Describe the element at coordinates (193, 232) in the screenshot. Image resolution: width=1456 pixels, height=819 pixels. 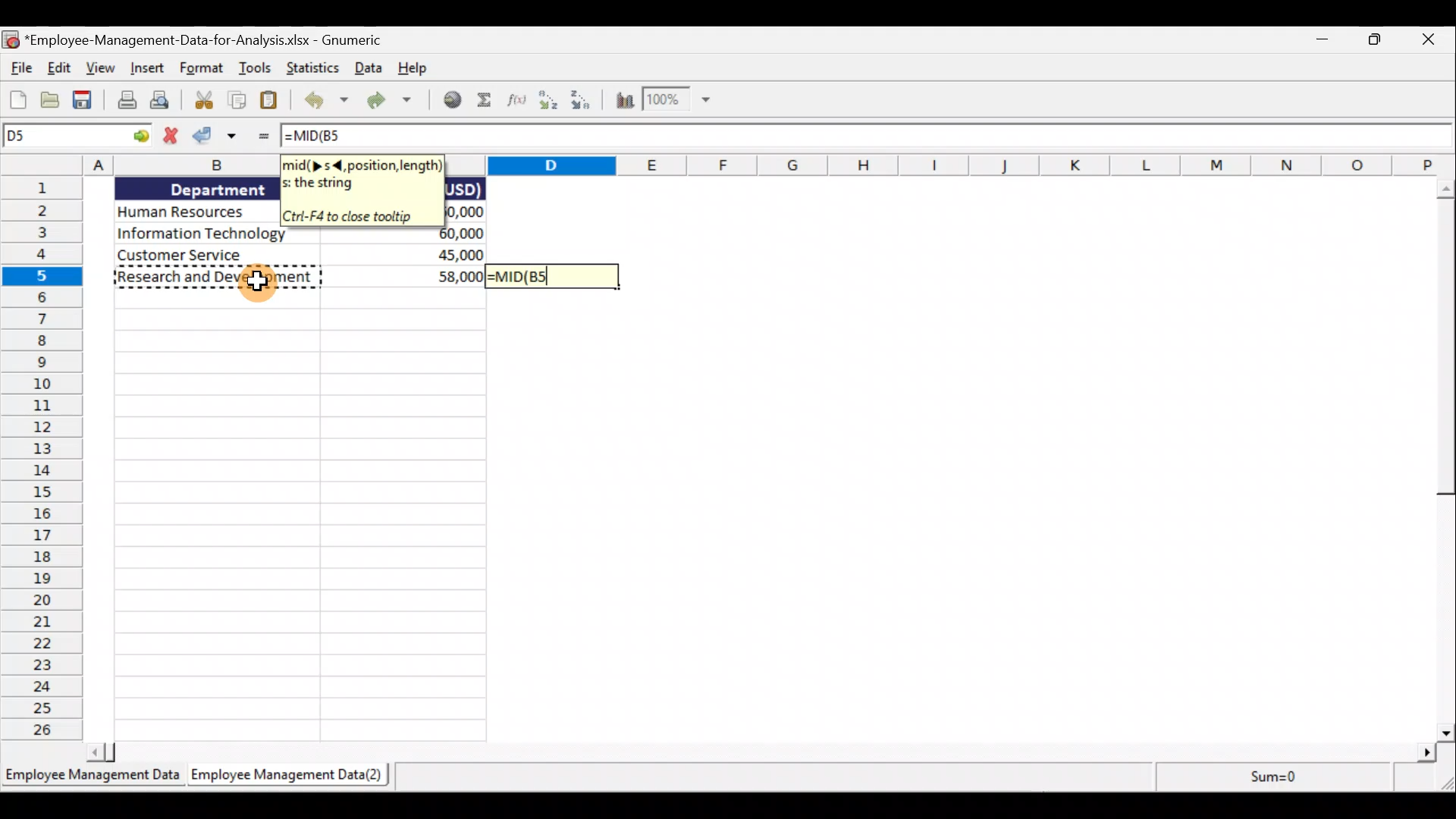
I see `Data` at that location.